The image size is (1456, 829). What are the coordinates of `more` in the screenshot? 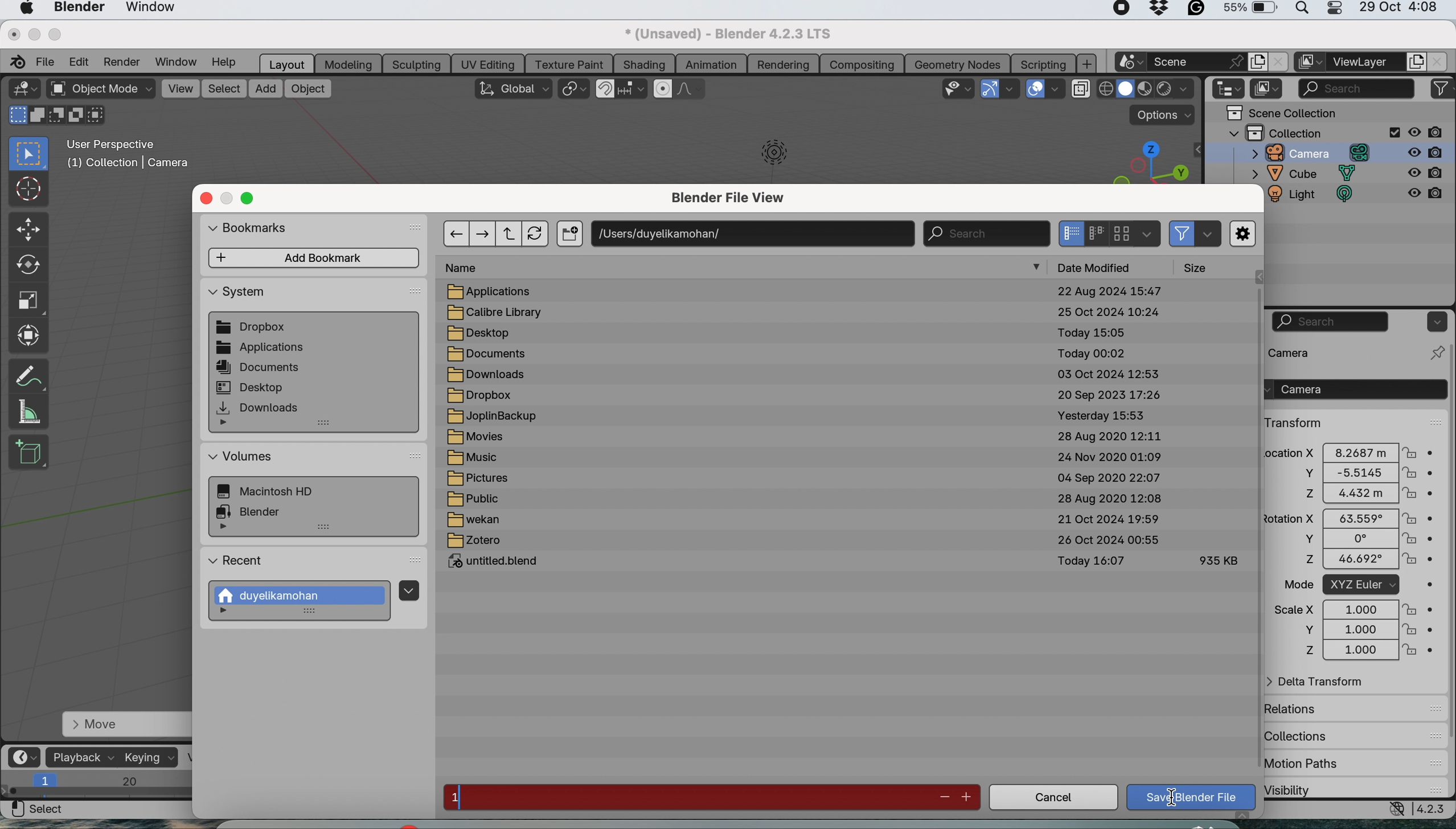 It's located at (1038, 268).